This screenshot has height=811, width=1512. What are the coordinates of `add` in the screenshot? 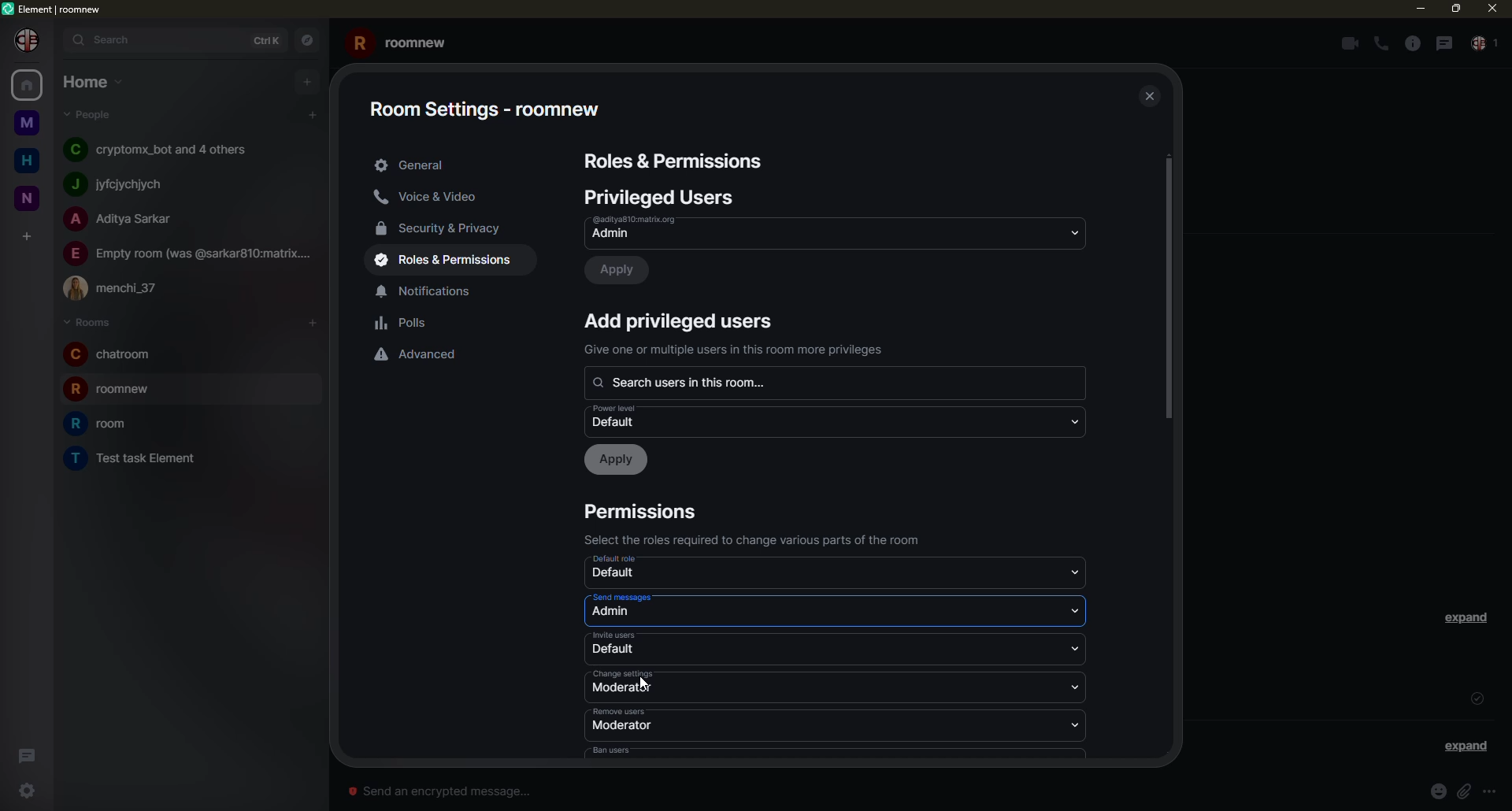 It's located at (310, 323).